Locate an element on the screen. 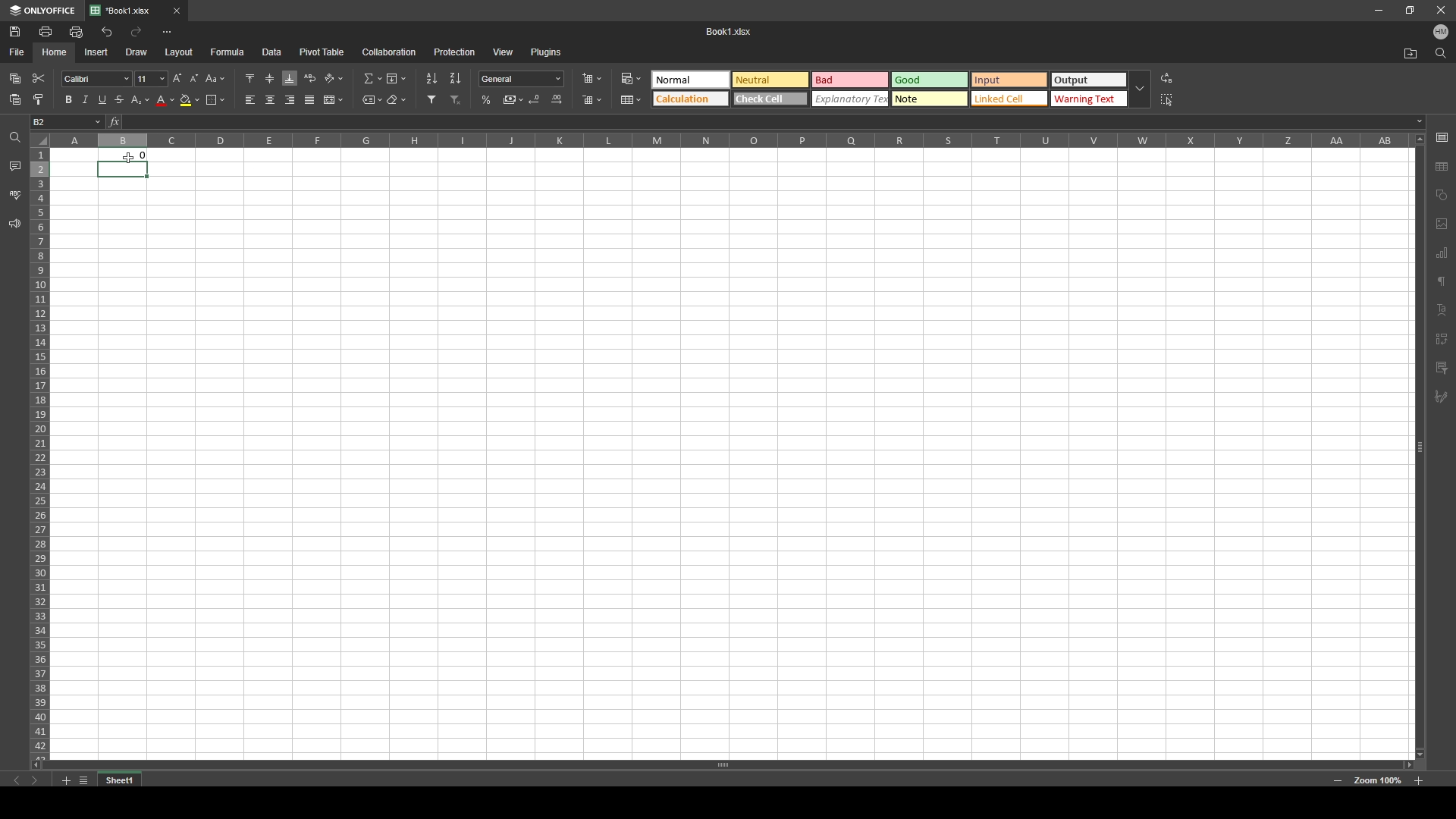  increase decimal is located at coordinates (557, 99).